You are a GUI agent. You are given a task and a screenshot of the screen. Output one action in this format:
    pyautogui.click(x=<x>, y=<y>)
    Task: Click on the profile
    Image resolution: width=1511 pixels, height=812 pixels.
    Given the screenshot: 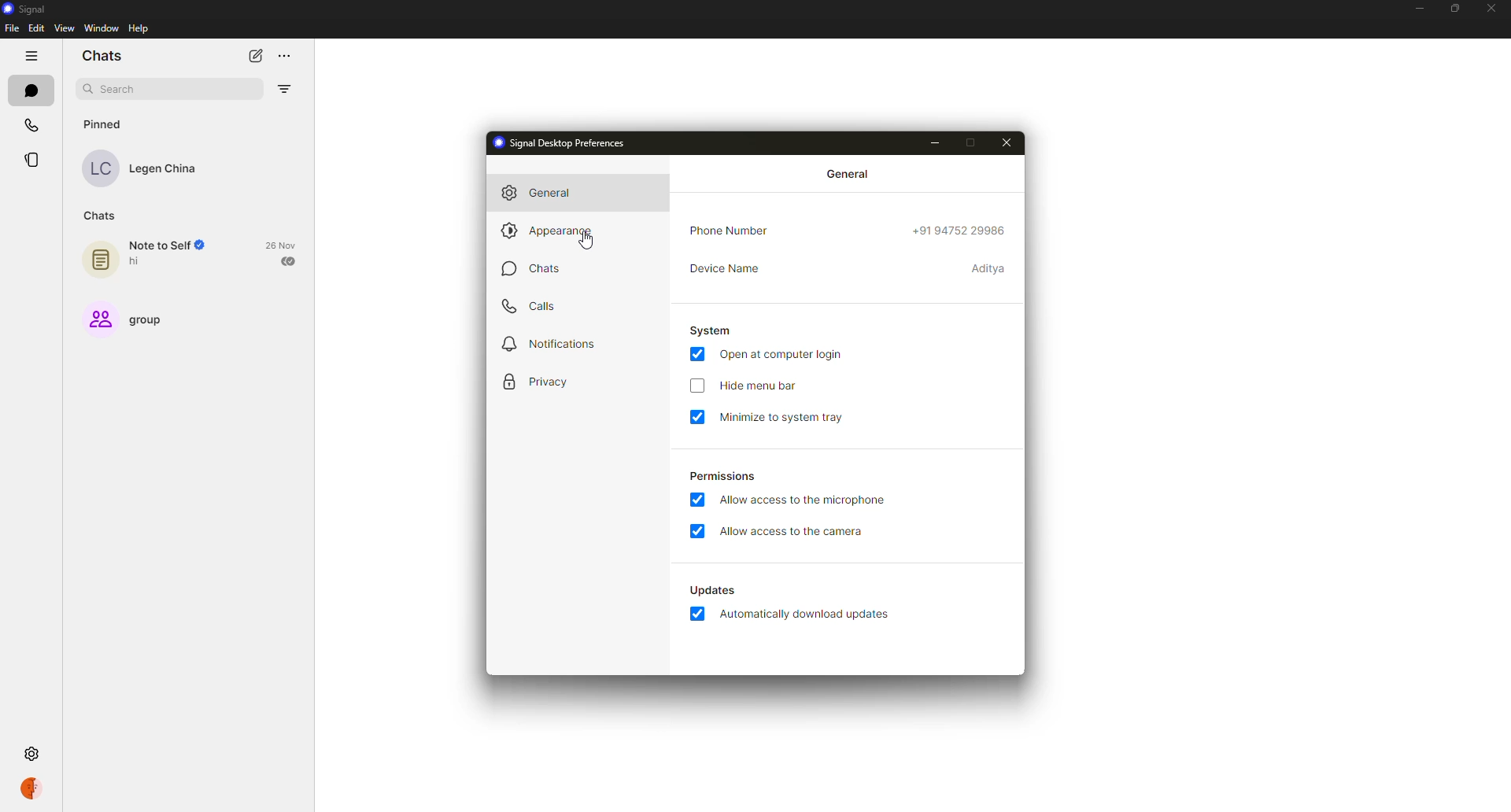 What is the action you would take?
    pyautogui.click(x=34, y=788)
    